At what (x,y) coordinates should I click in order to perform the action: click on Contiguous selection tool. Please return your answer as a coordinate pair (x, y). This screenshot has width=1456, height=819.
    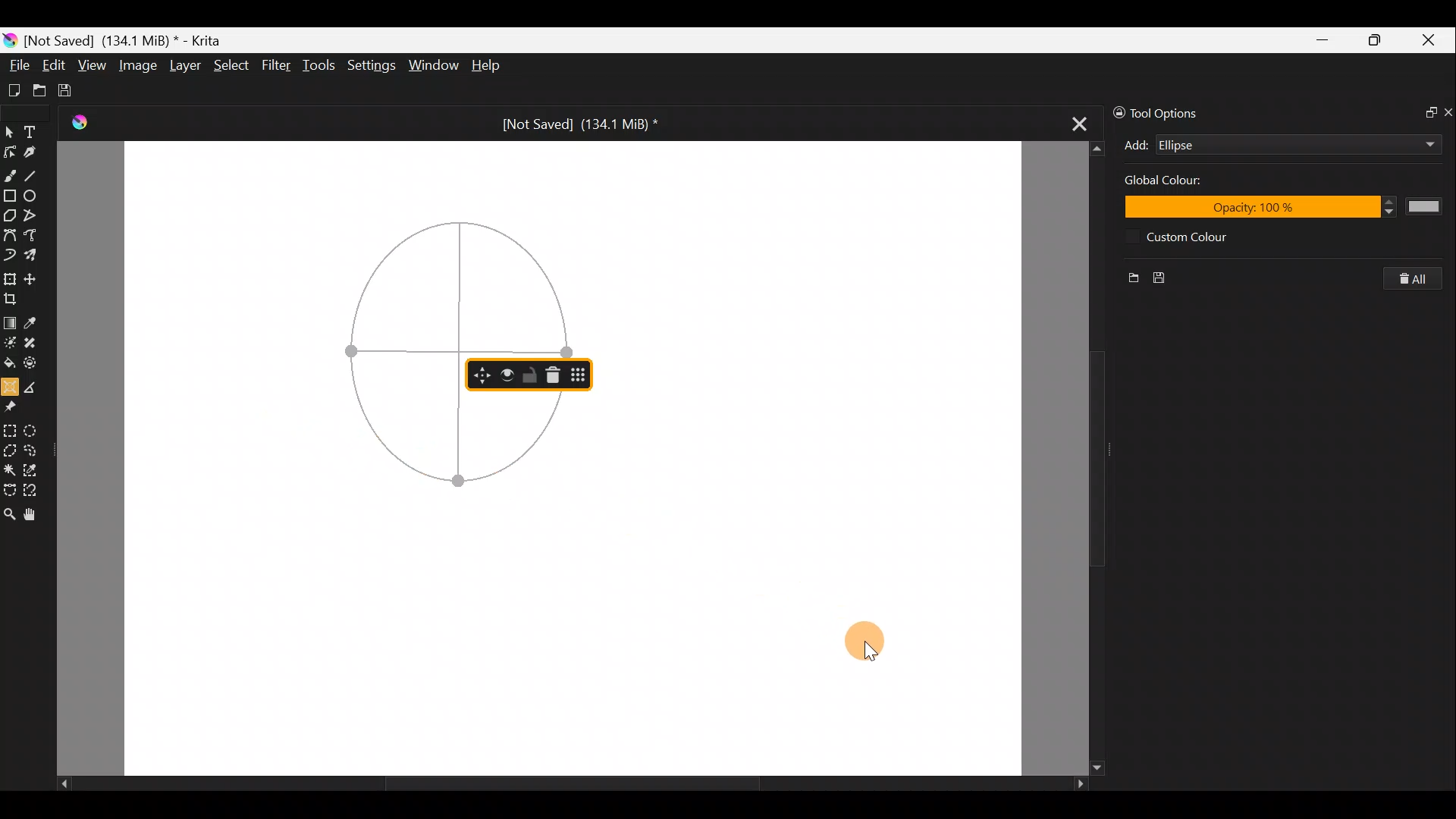
    Looking at the image, I should click on (10, 468).